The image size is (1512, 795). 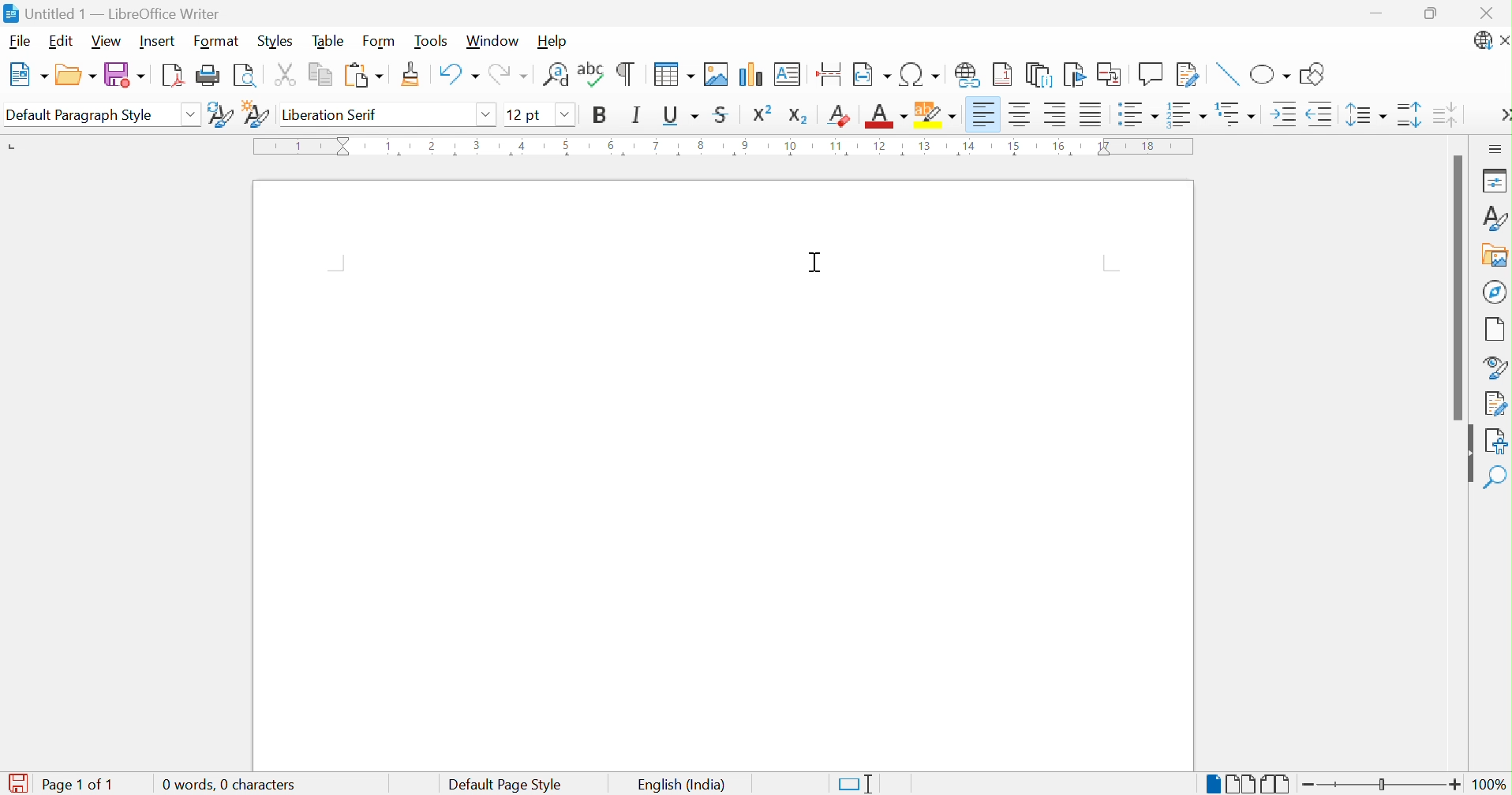 I want to click on Set line spacing, so click(x=1366, y=117).